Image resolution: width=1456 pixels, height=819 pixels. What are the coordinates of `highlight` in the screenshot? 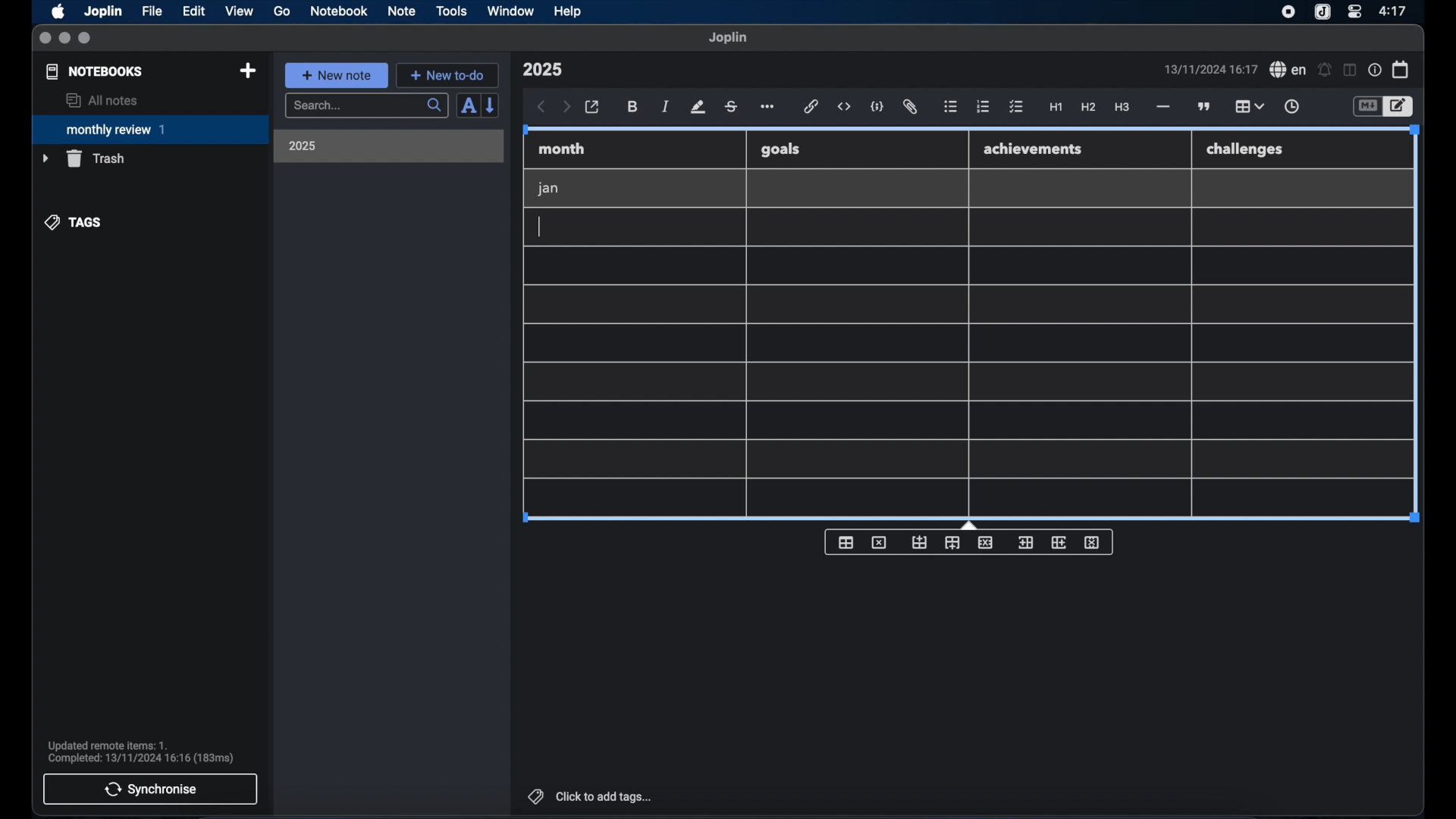 It's located at (698, 107).